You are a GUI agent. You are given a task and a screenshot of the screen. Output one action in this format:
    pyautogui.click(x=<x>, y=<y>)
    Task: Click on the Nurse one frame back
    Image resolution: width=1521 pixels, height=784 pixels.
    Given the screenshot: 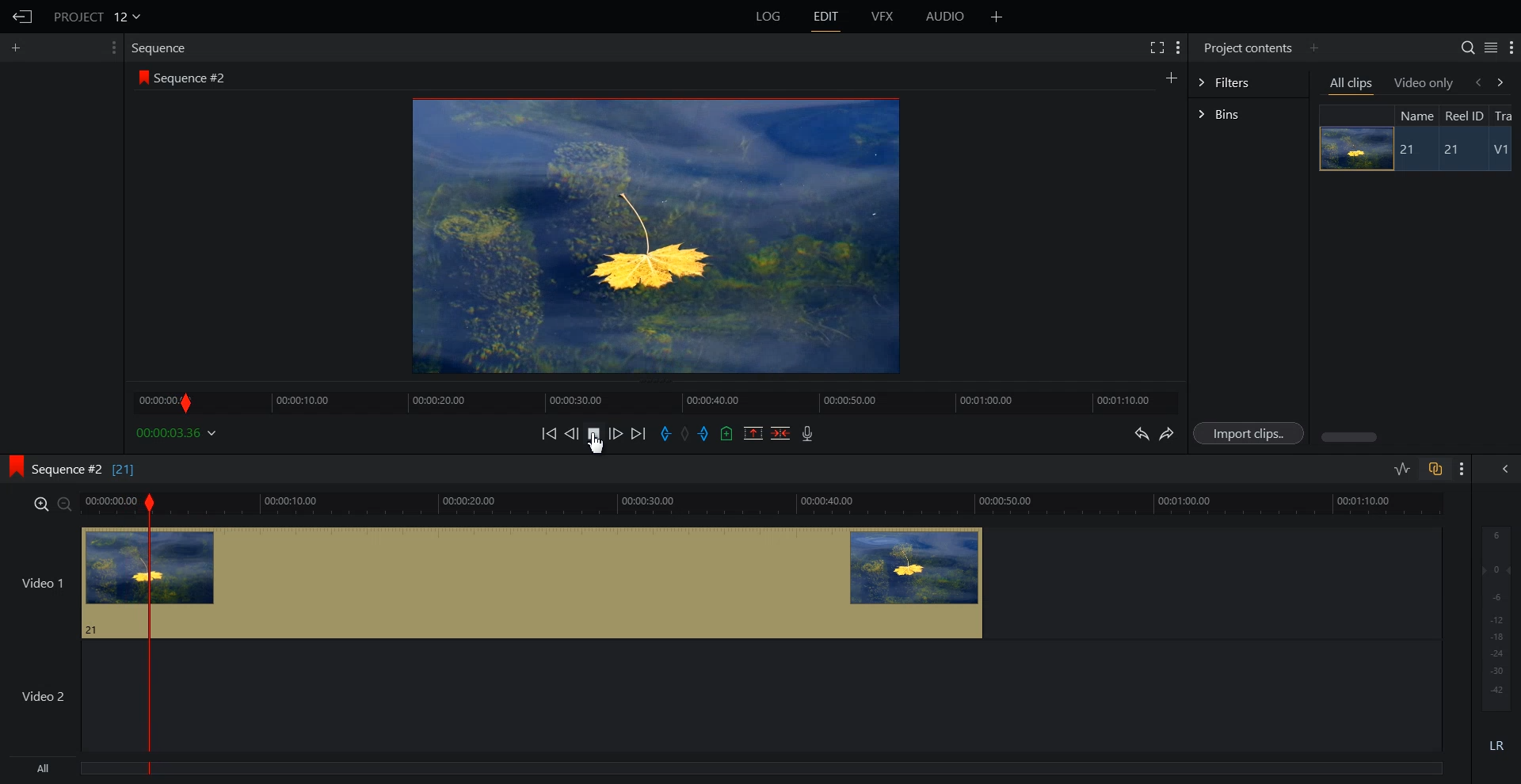 What is the action you would take?
    pyautogui.click(x=572, y=433)
    